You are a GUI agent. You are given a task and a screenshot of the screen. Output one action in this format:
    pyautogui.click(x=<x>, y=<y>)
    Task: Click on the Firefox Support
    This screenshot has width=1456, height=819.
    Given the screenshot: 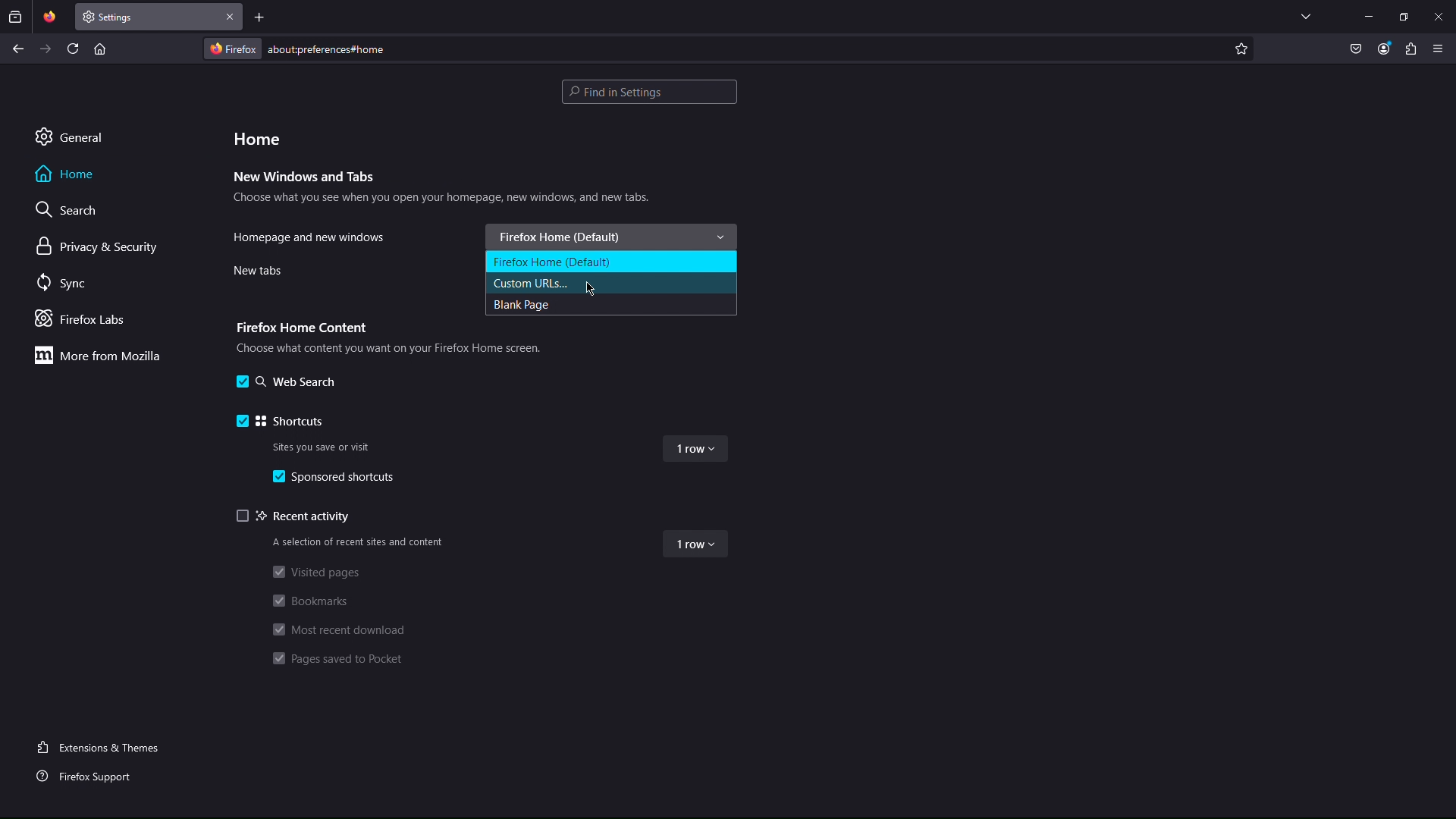 What is the action you would take?
    pyautogui.click(x=89, y=774)
    